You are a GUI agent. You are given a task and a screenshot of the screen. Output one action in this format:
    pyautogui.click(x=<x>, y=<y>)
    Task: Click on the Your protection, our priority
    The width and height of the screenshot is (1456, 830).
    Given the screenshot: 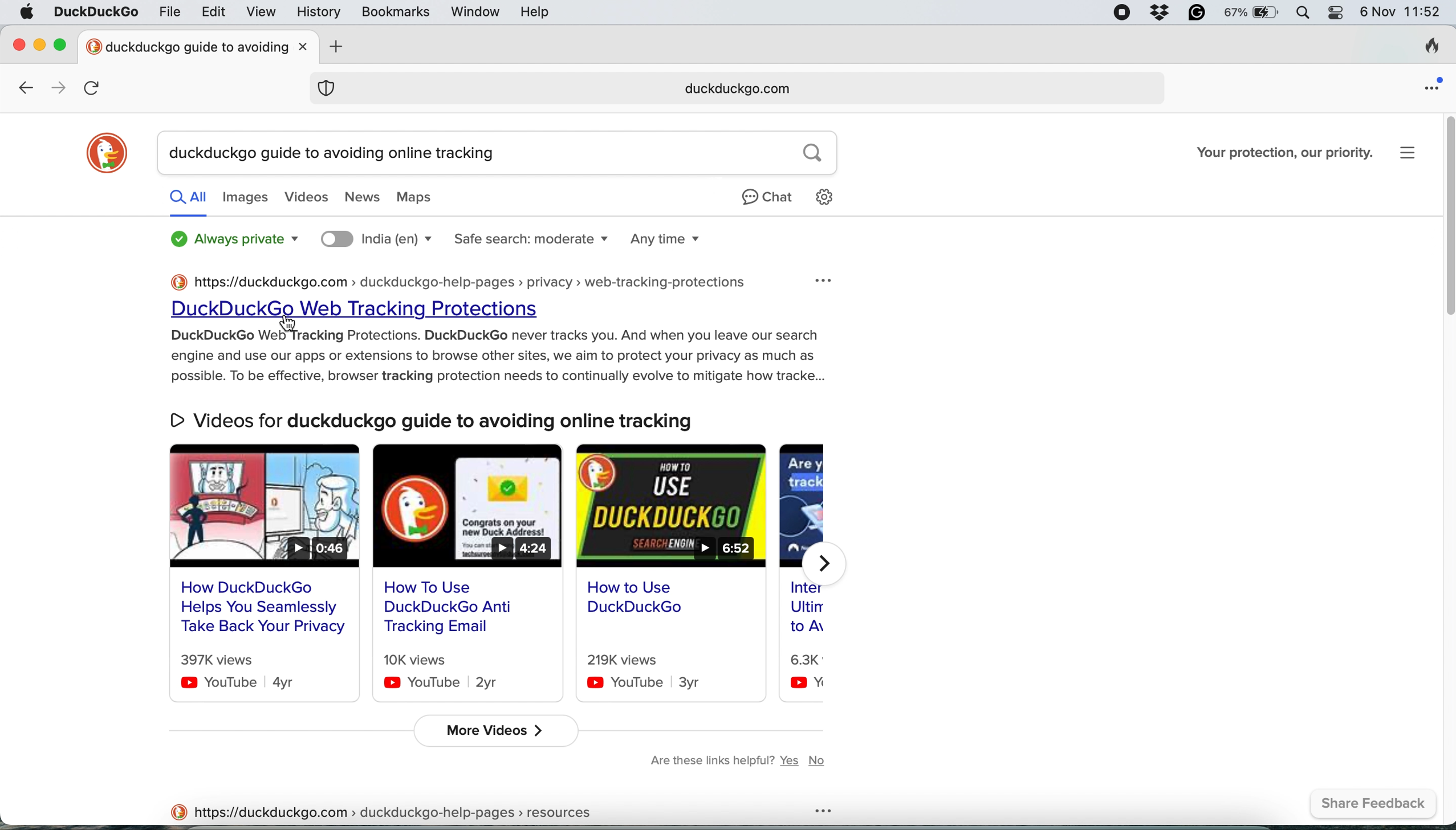 What is the action you would take?
    pyautogui.click(x=1271, y=157)
    